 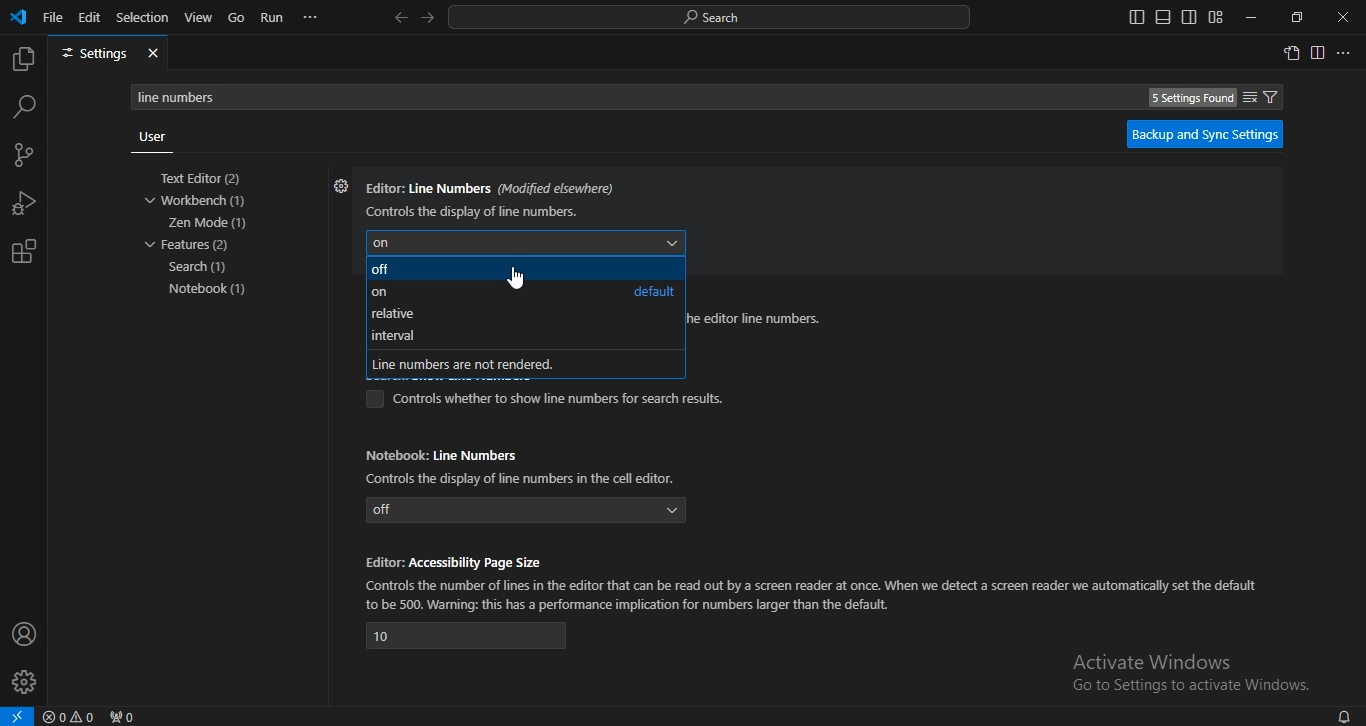 What do you see at coordinates (22, 157) in the screenshot?
I see `source control` at bounding box center [22, 157].